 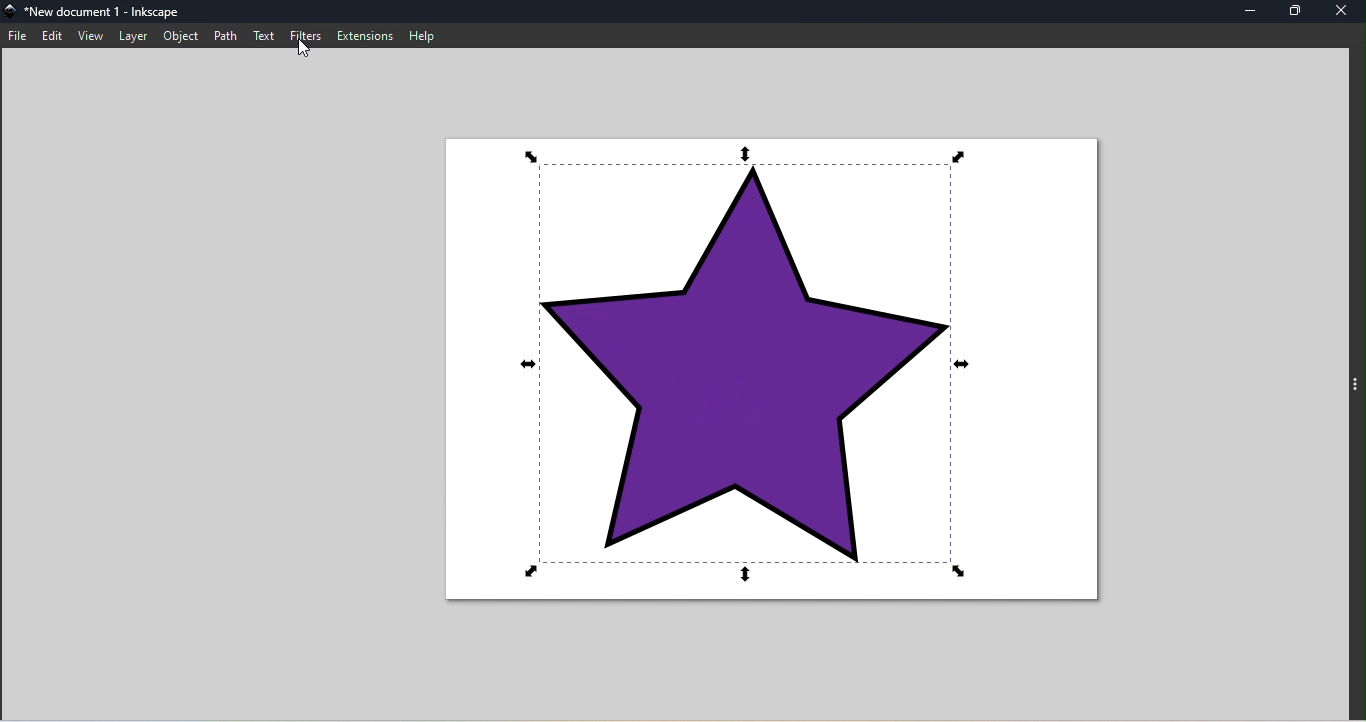 I want to click on Maximize, so click(x=1301, y=12).